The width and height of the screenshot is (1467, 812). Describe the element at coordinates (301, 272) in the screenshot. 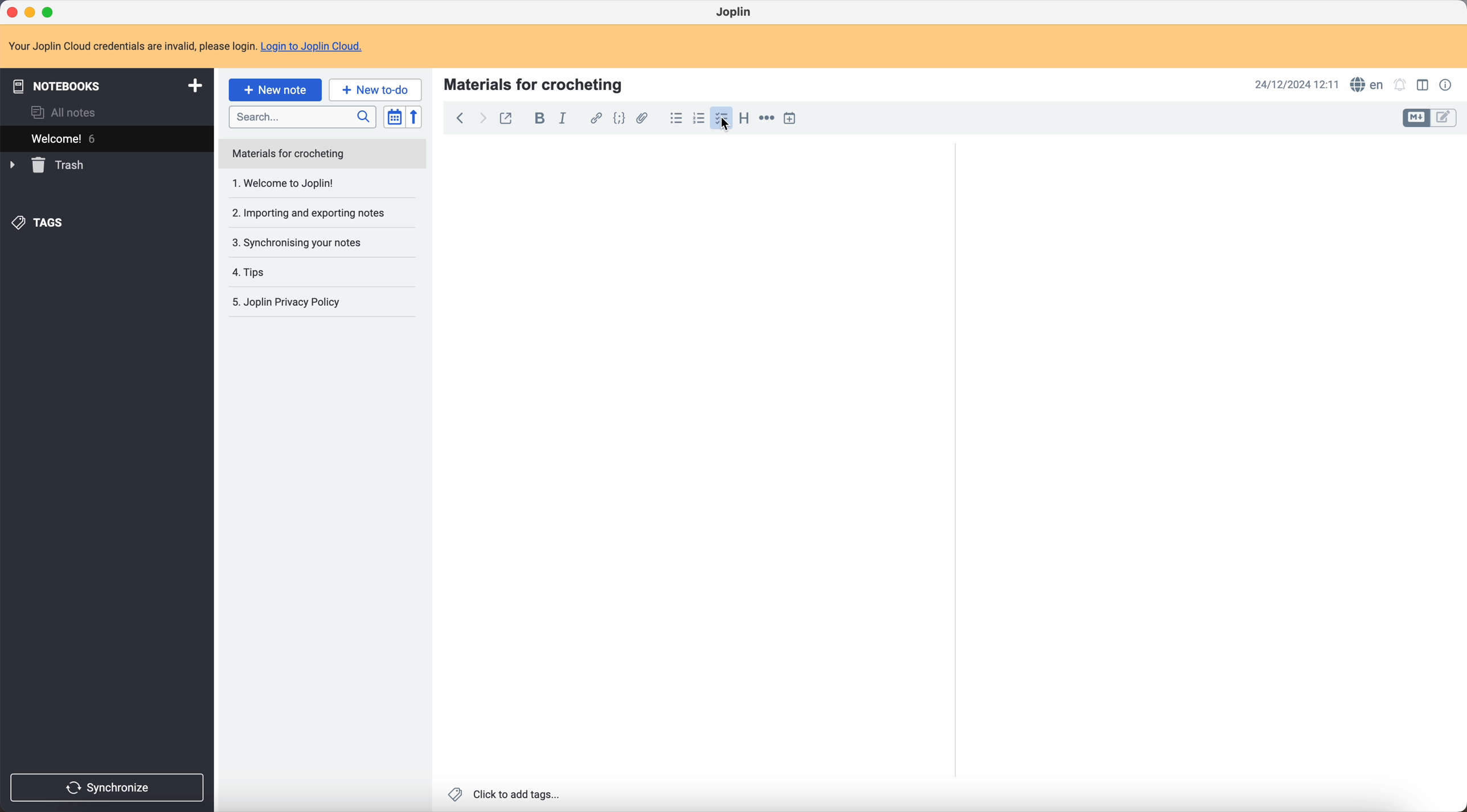

I see `tips` at that location.